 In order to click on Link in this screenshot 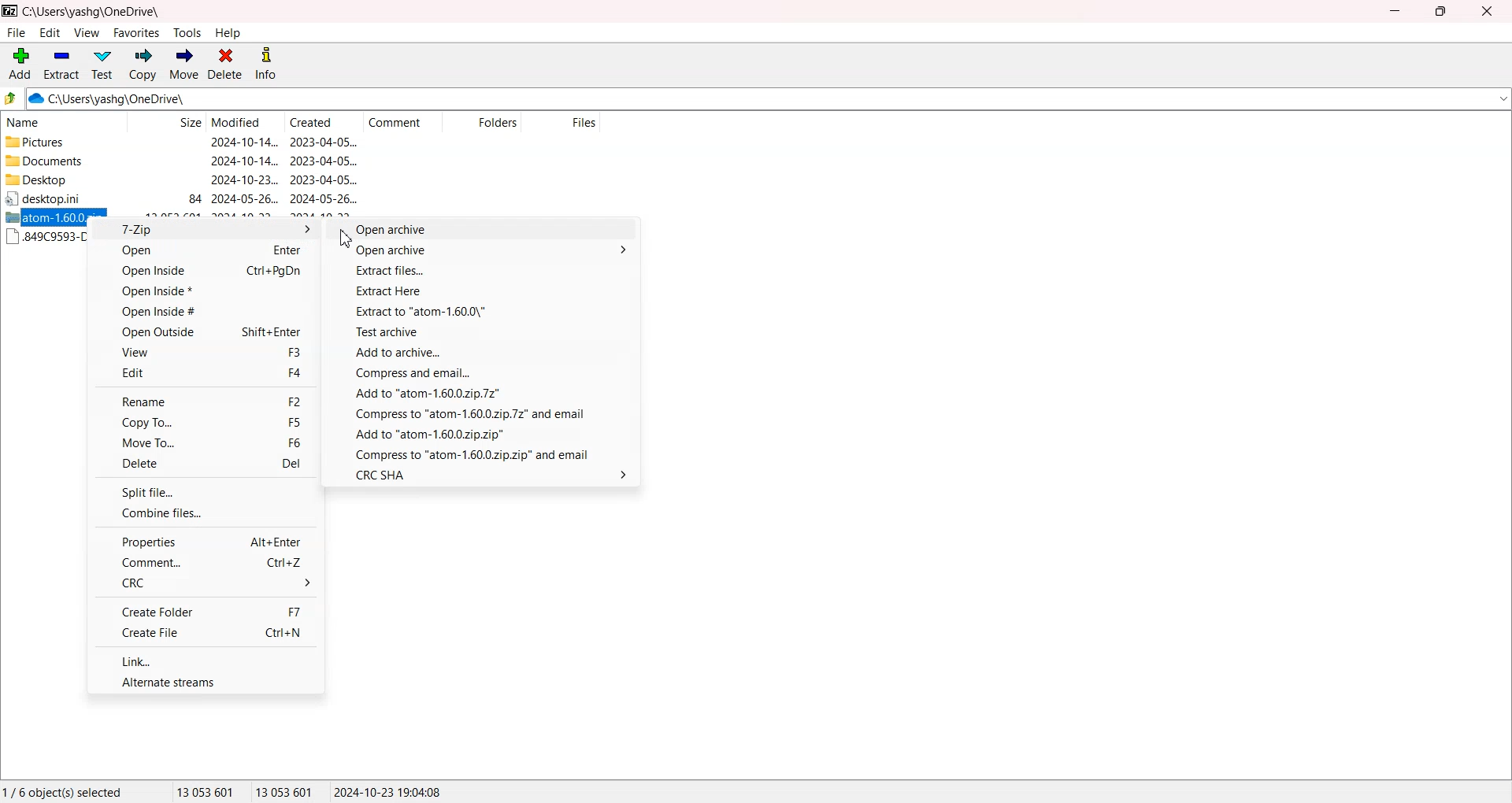, I will do `click(208, 660)`.